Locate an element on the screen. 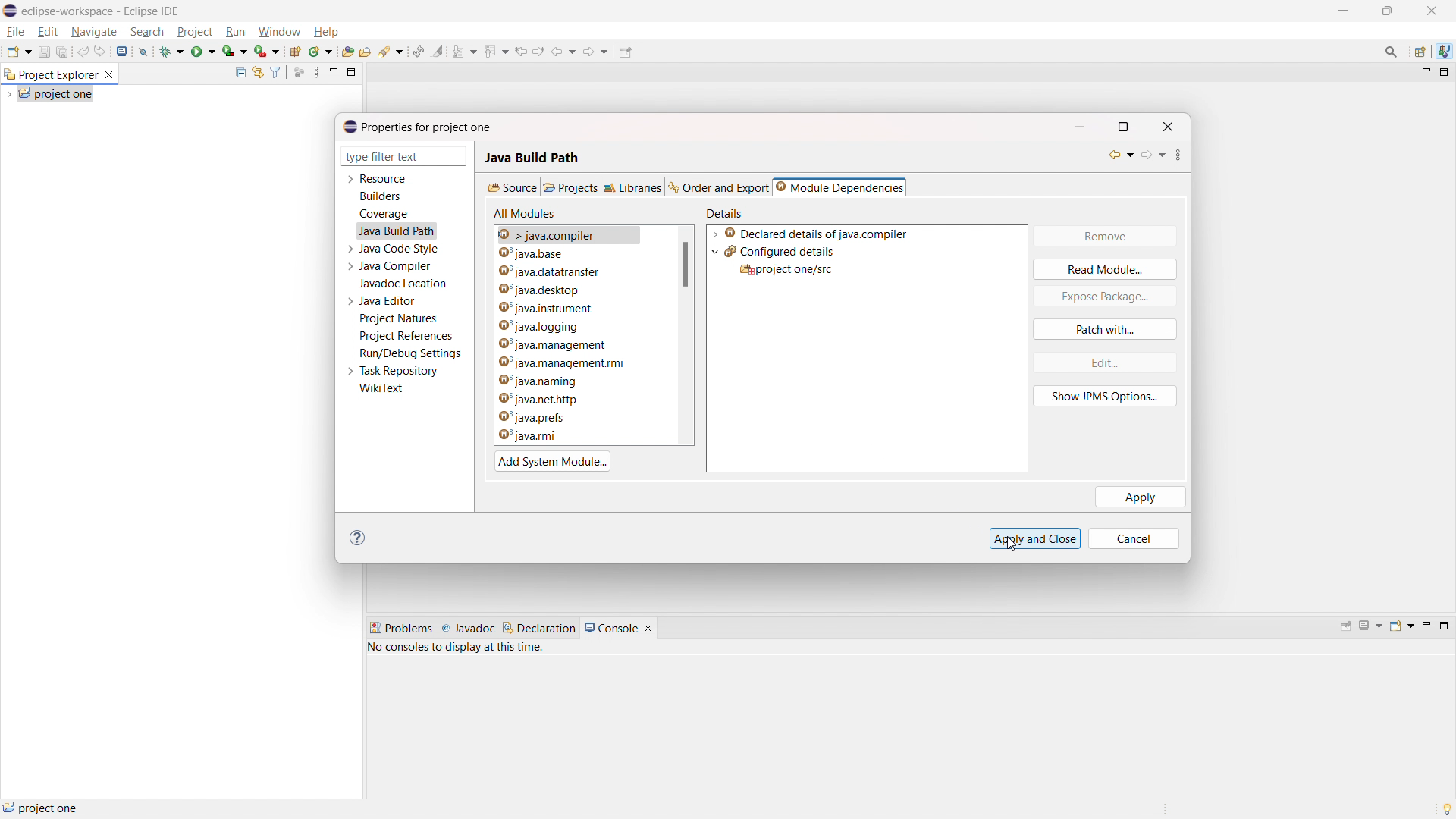 The width and height of the screenshot is (1456, 819). toggle ant editor auto reconcile is located at coordinates (418, 51).